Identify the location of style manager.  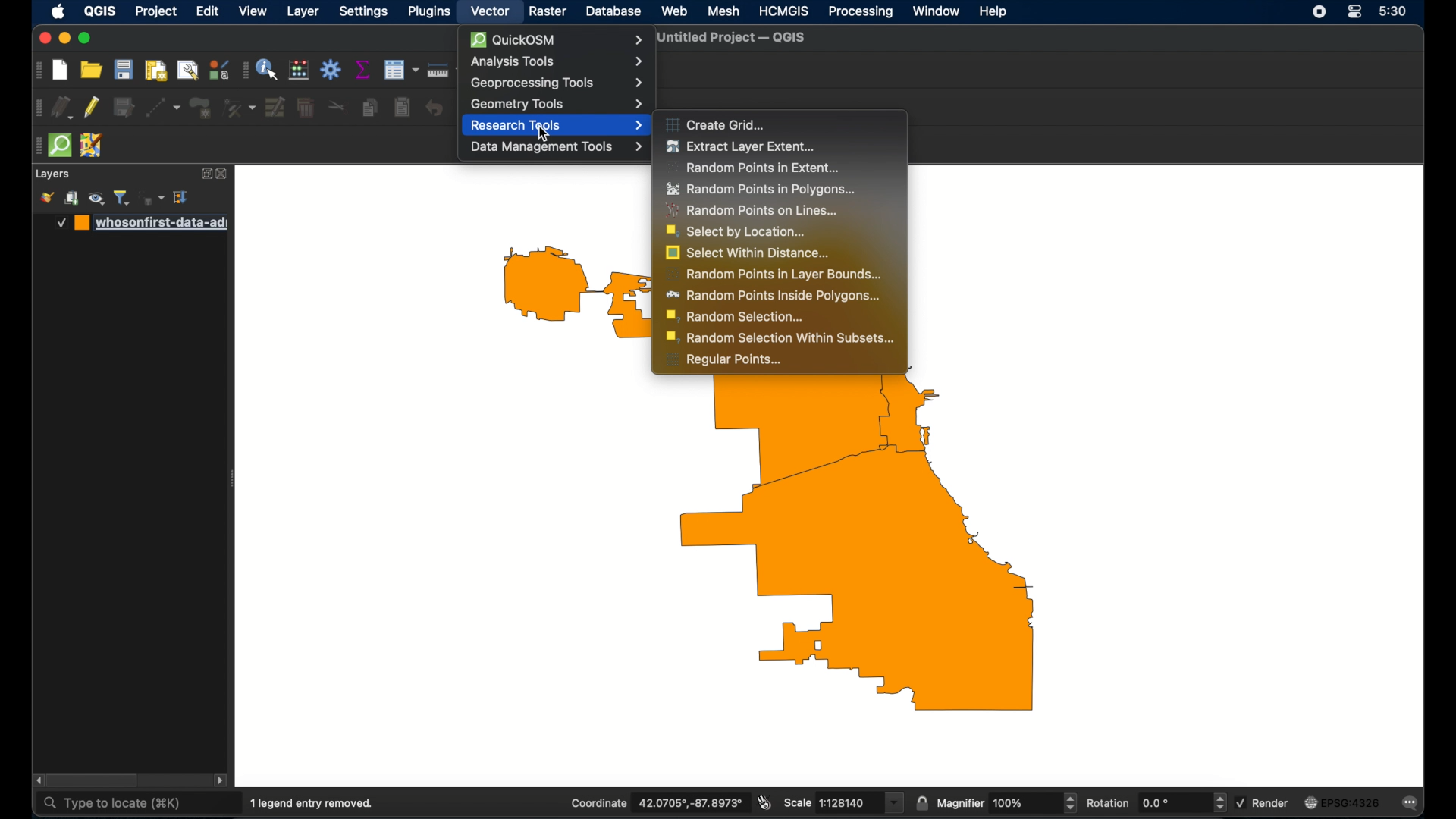
(46, 198).